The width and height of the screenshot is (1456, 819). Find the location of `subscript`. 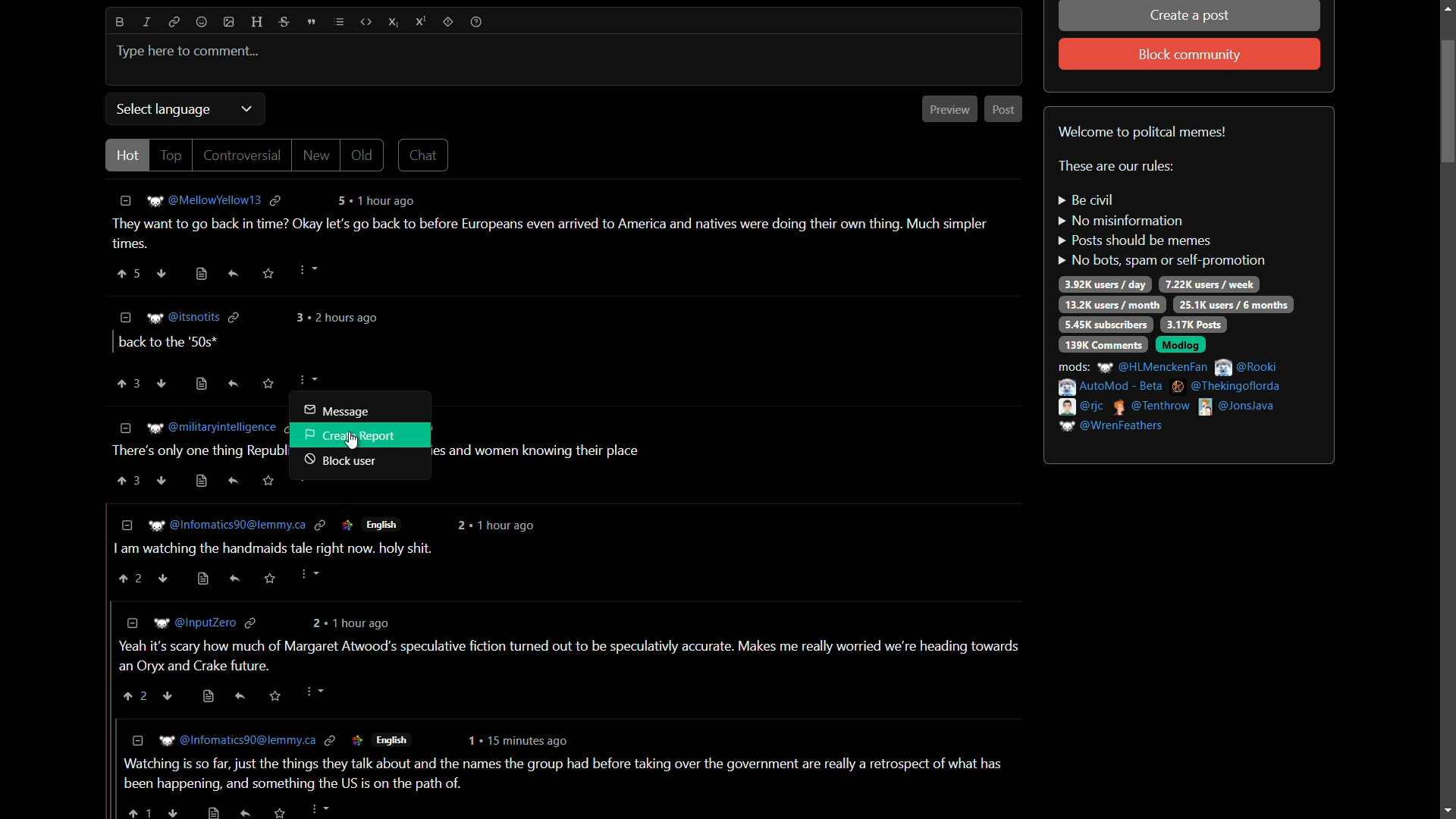

subscript is located at coordinates (394, 22).